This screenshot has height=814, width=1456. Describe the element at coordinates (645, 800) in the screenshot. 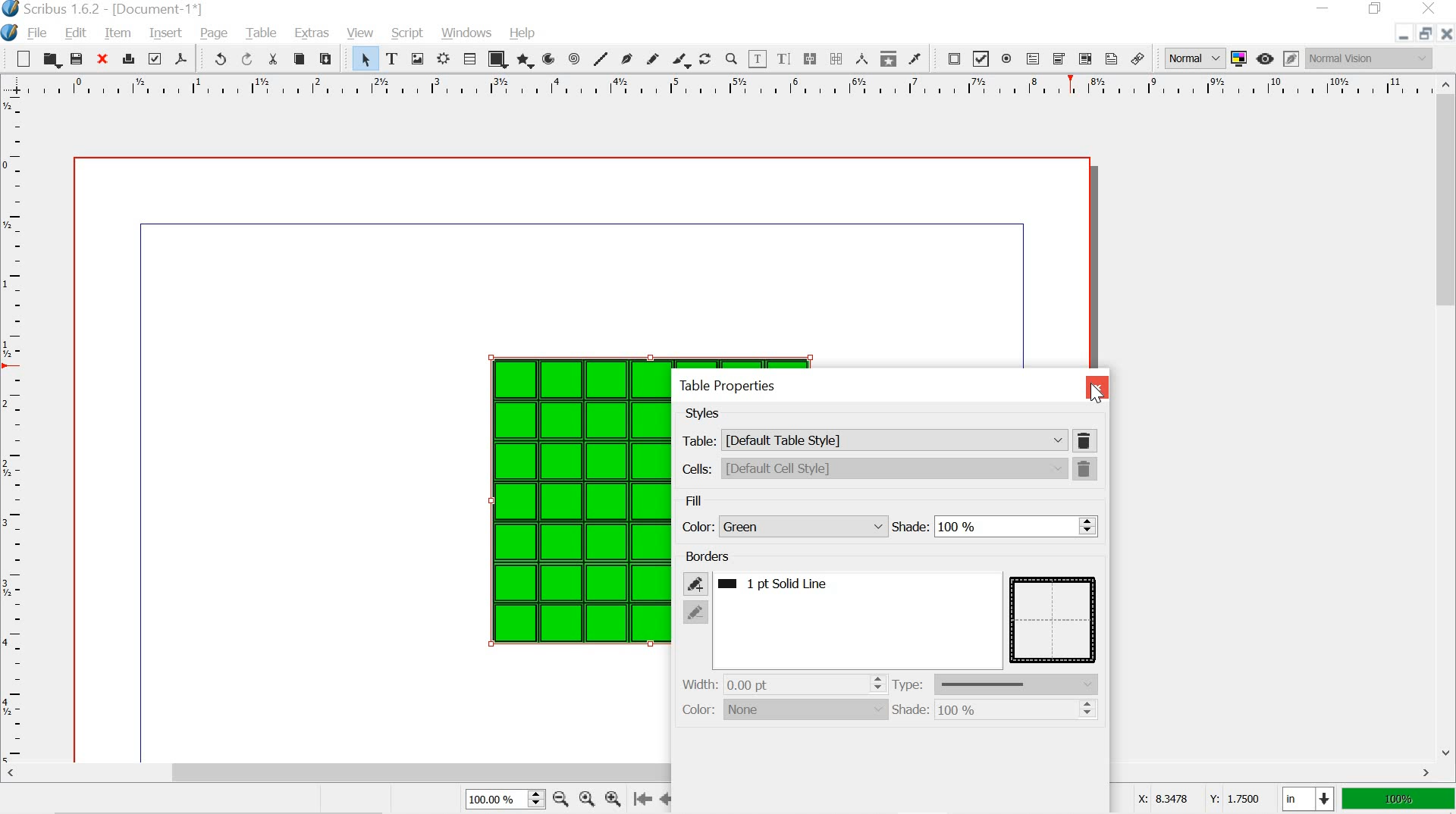

I see `go to the first page` at that location.